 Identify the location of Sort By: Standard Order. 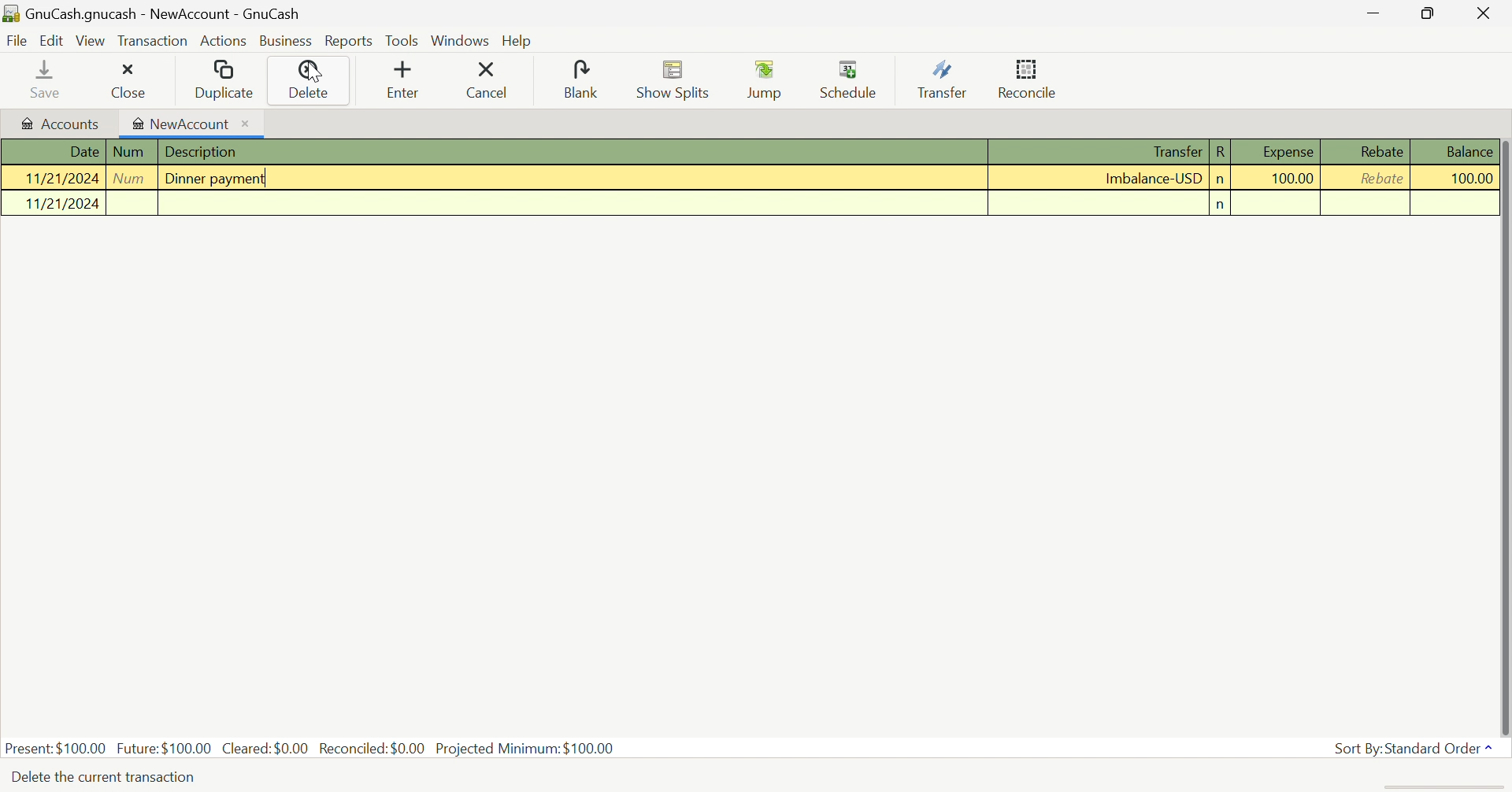
(1412, 748).